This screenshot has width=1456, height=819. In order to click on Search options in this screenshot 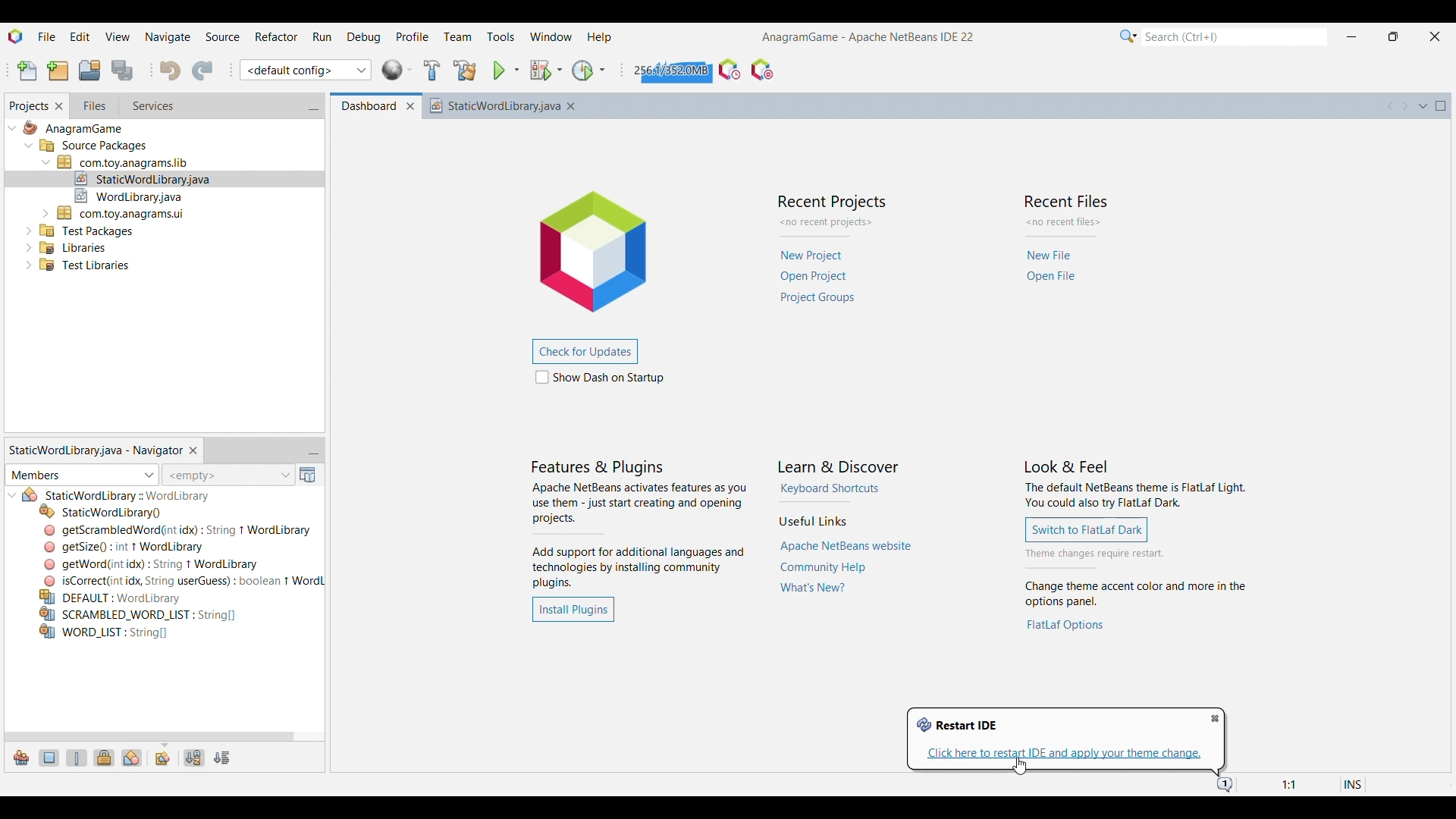, I will do `click(1128, 36)`.